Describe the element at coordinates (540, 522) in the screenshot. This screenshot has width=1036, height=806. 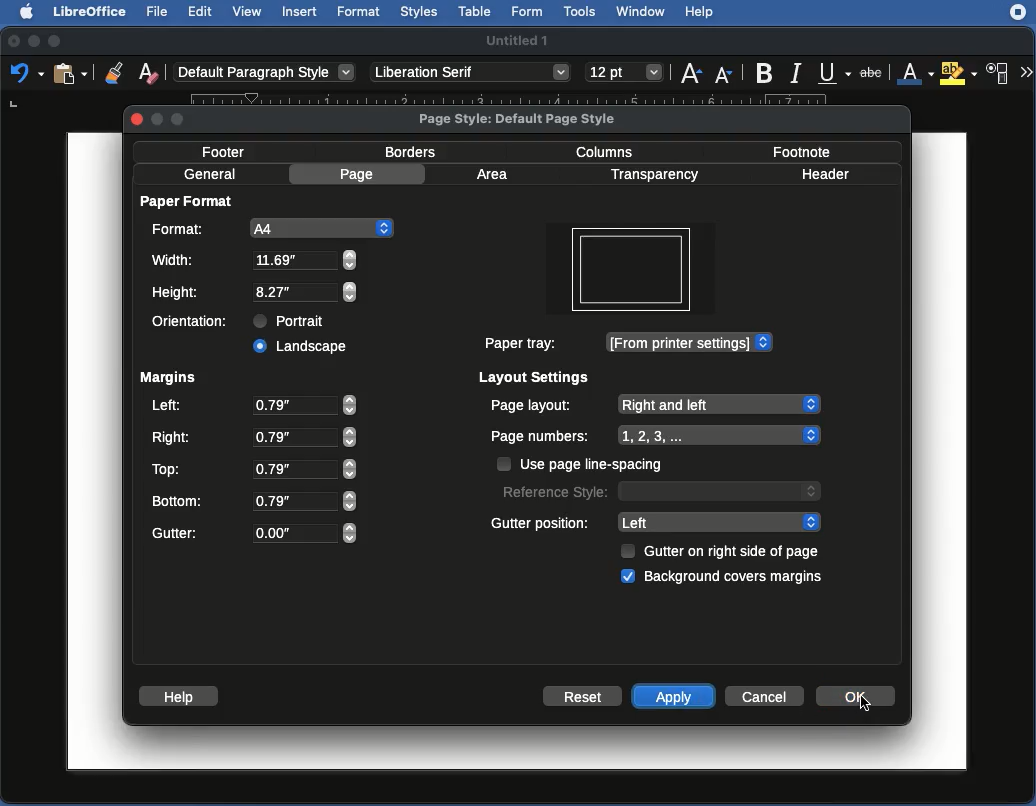
I see `Gutter position` at that location.